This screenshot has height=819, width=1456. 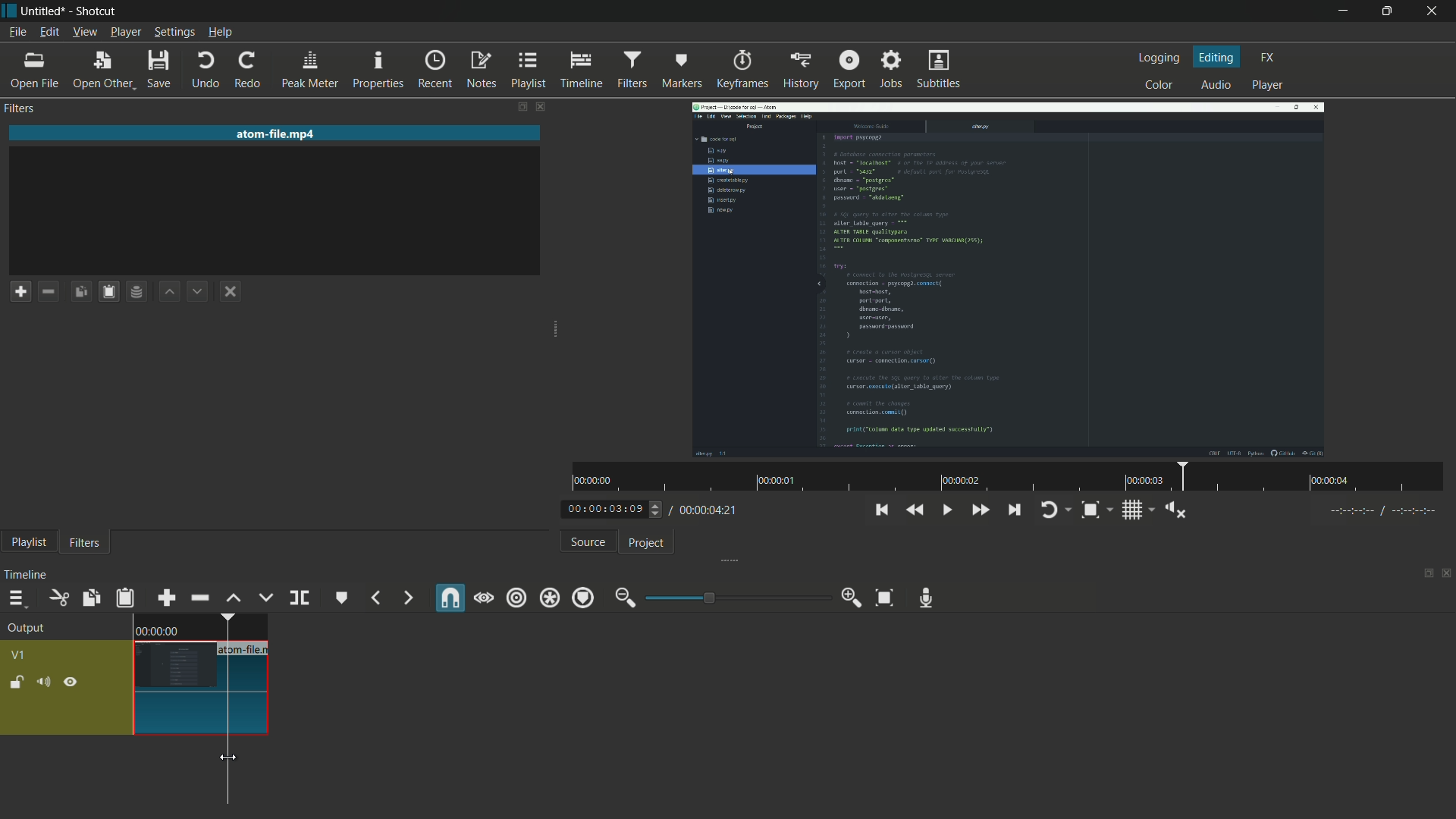 What do you see at coordinates (1009, 279) in the screenshot?
I see `imported file` at bounding box center [1009, 279].